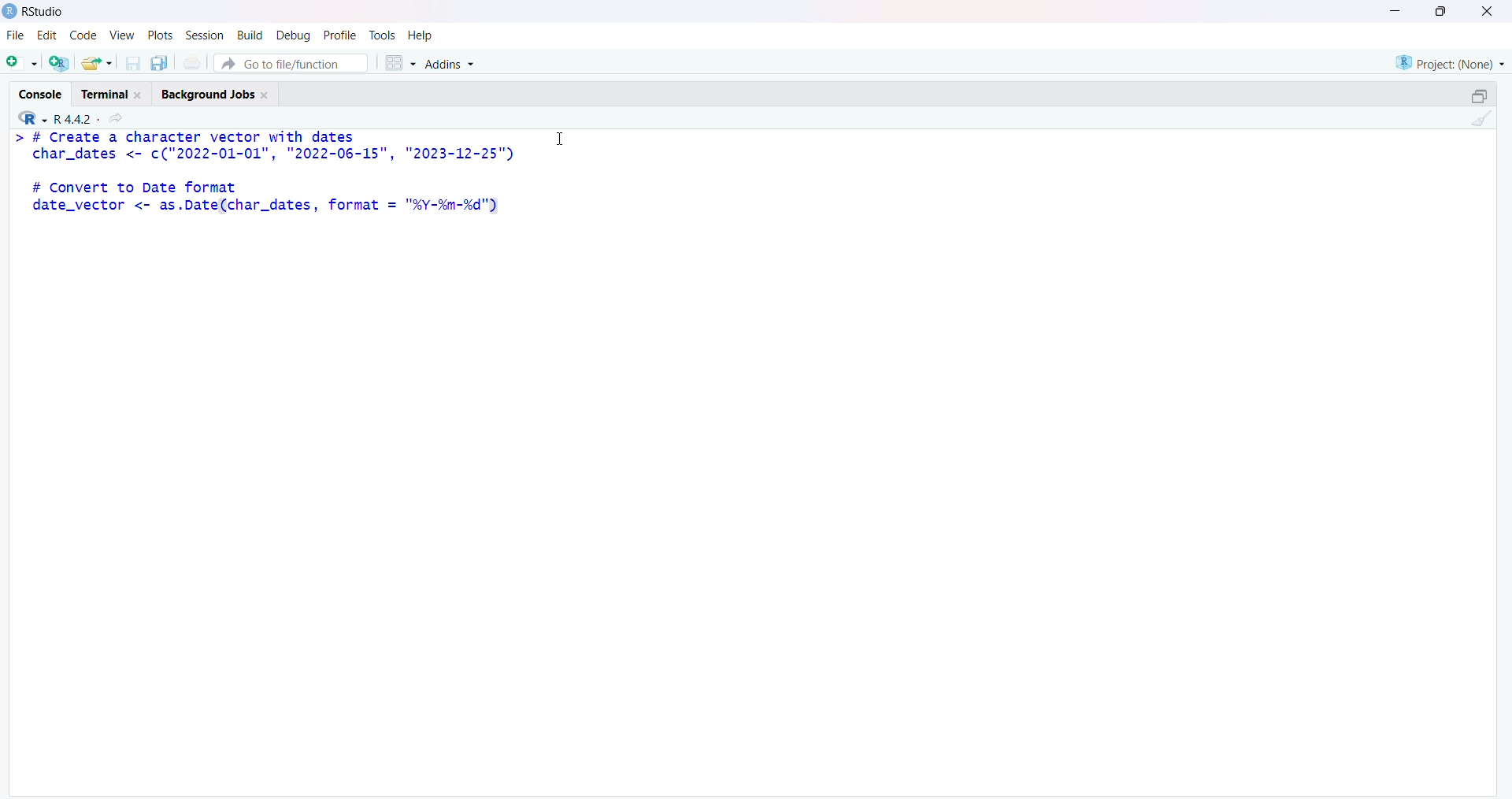 This screenshot has height=799, width=1512. What do you see at coordinates (198, 61) in the screenshot?
I see `Print the current file` at bounding box center [198, 61].